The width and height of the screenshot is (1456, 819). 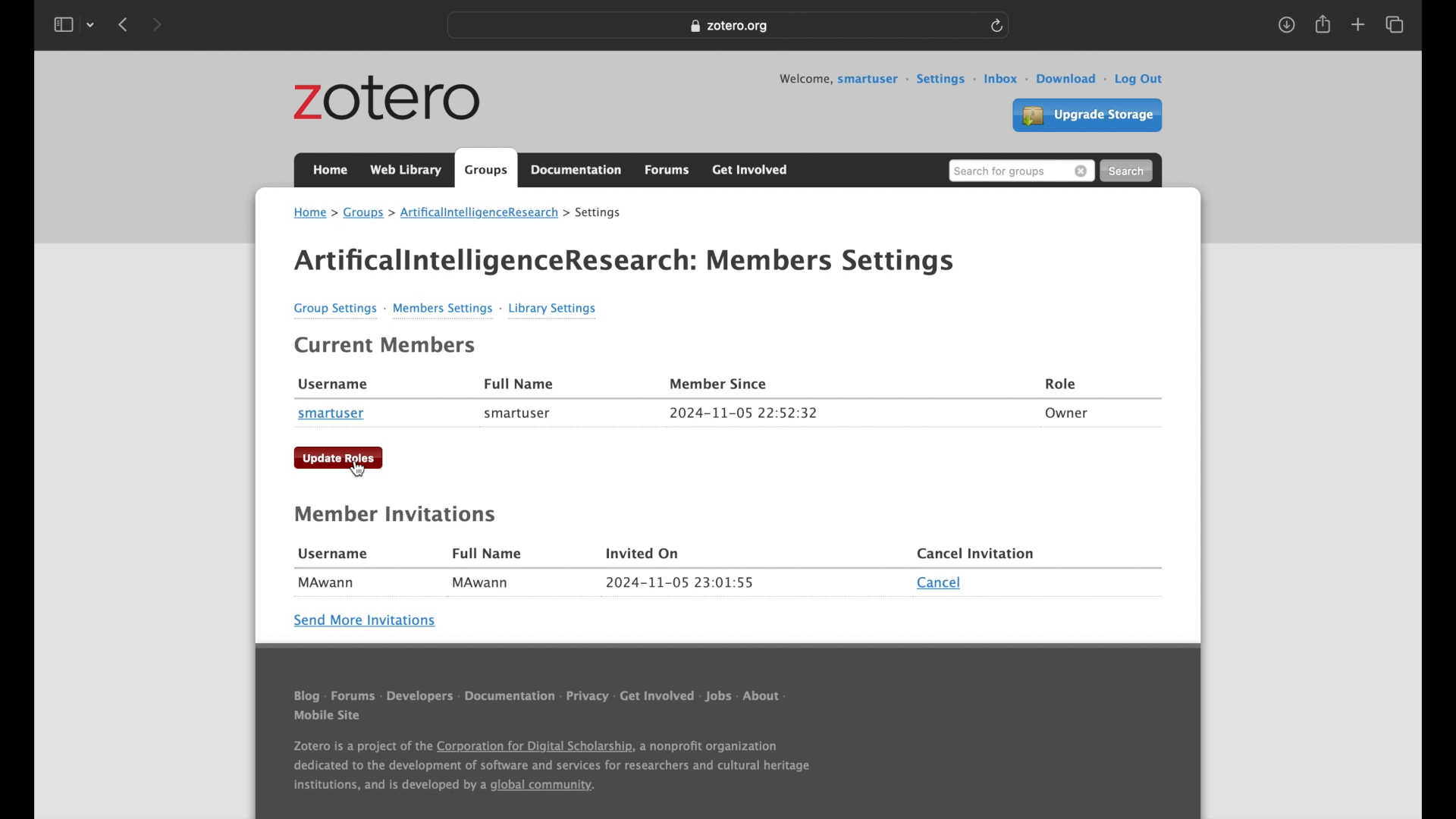 What do you see at coordinates (315, 212) in the screenshot?
I see `home` at bounding box center [315, 212].